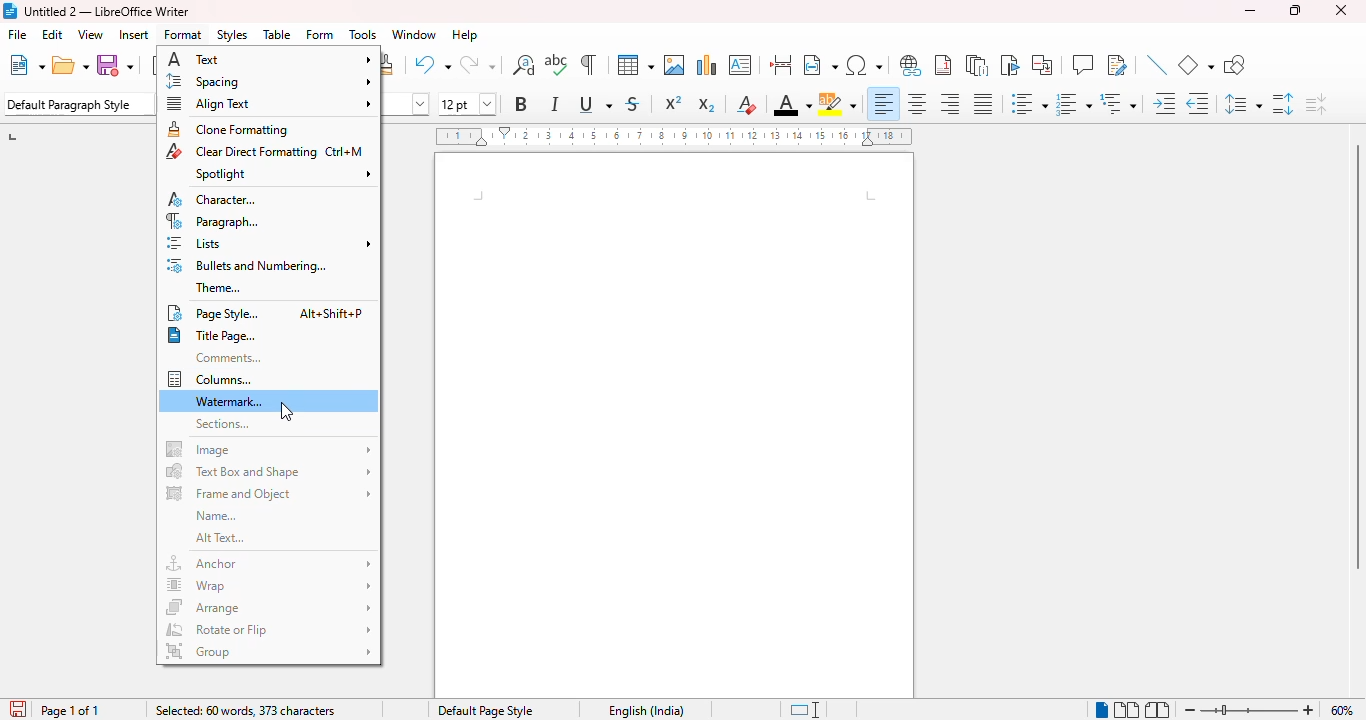  Describe the element at coordinates (1357, 357) in the screenshot. I see `vertical scroll bar` at that location.